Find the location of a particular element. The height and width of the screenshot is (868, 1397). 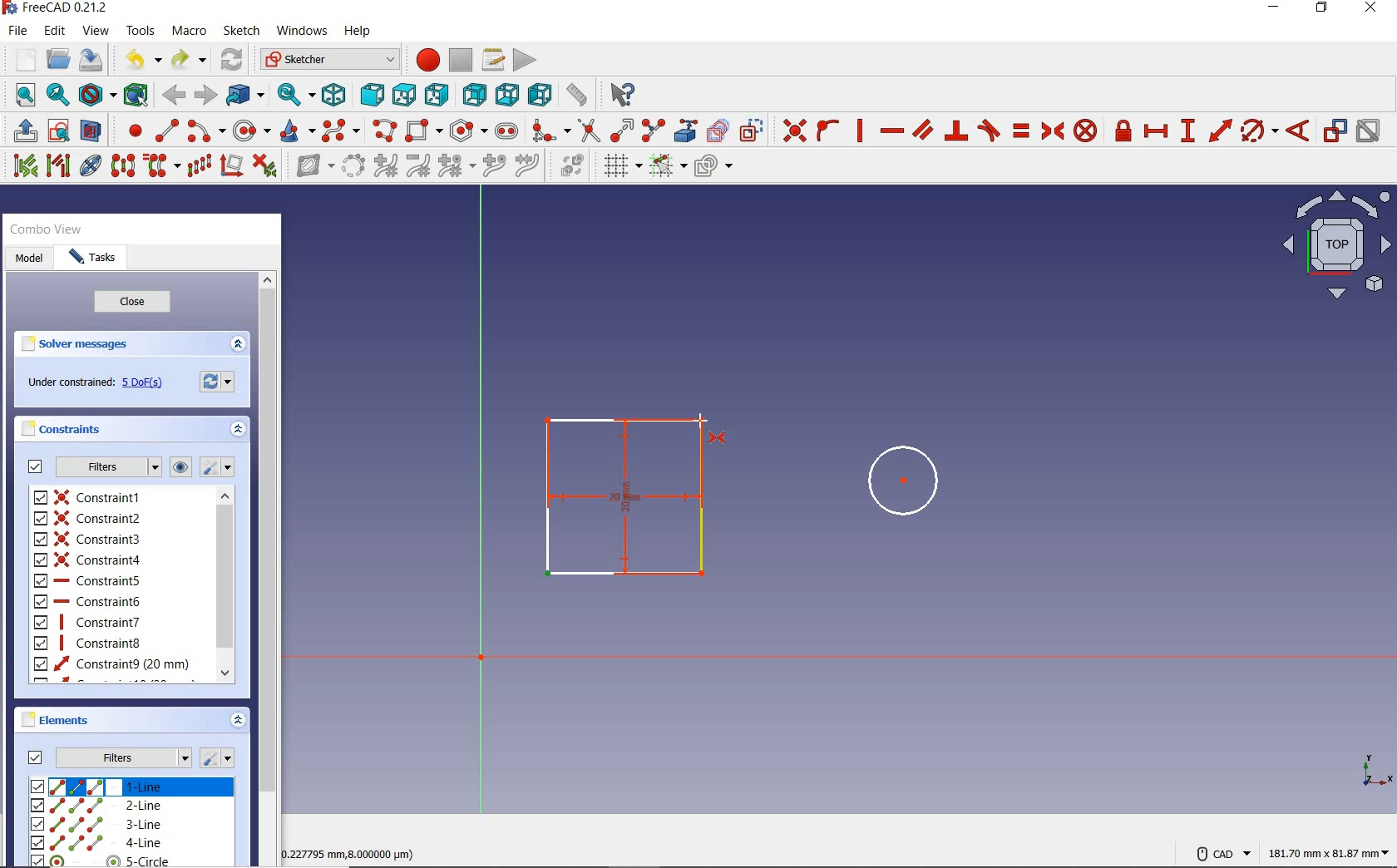

convert geometry to b-spline is located at coordinates (353, 165).